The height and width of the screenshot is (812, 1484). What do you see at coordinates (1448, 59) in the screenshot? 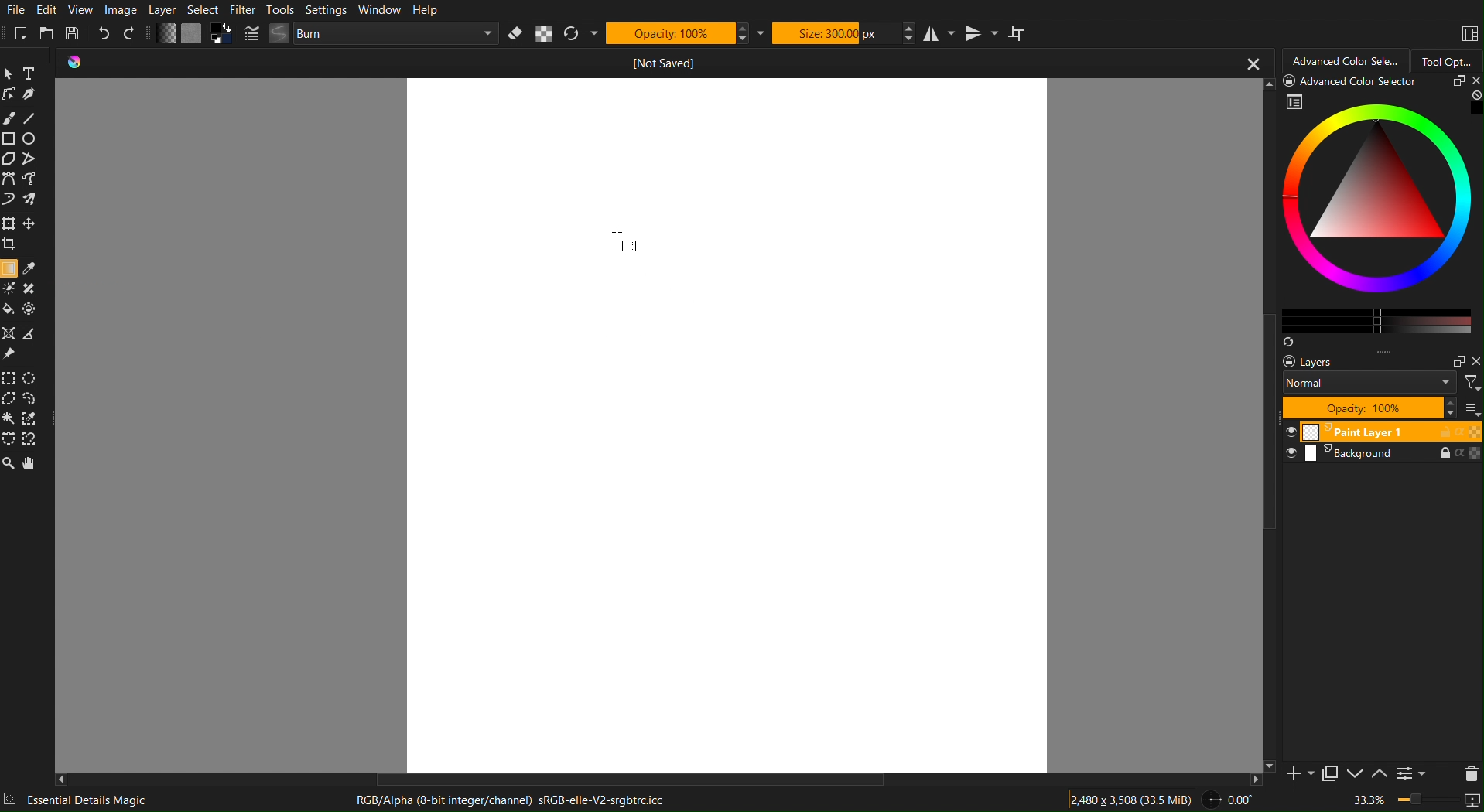
I see `Tool Options` at bounding box center [1448, 59].